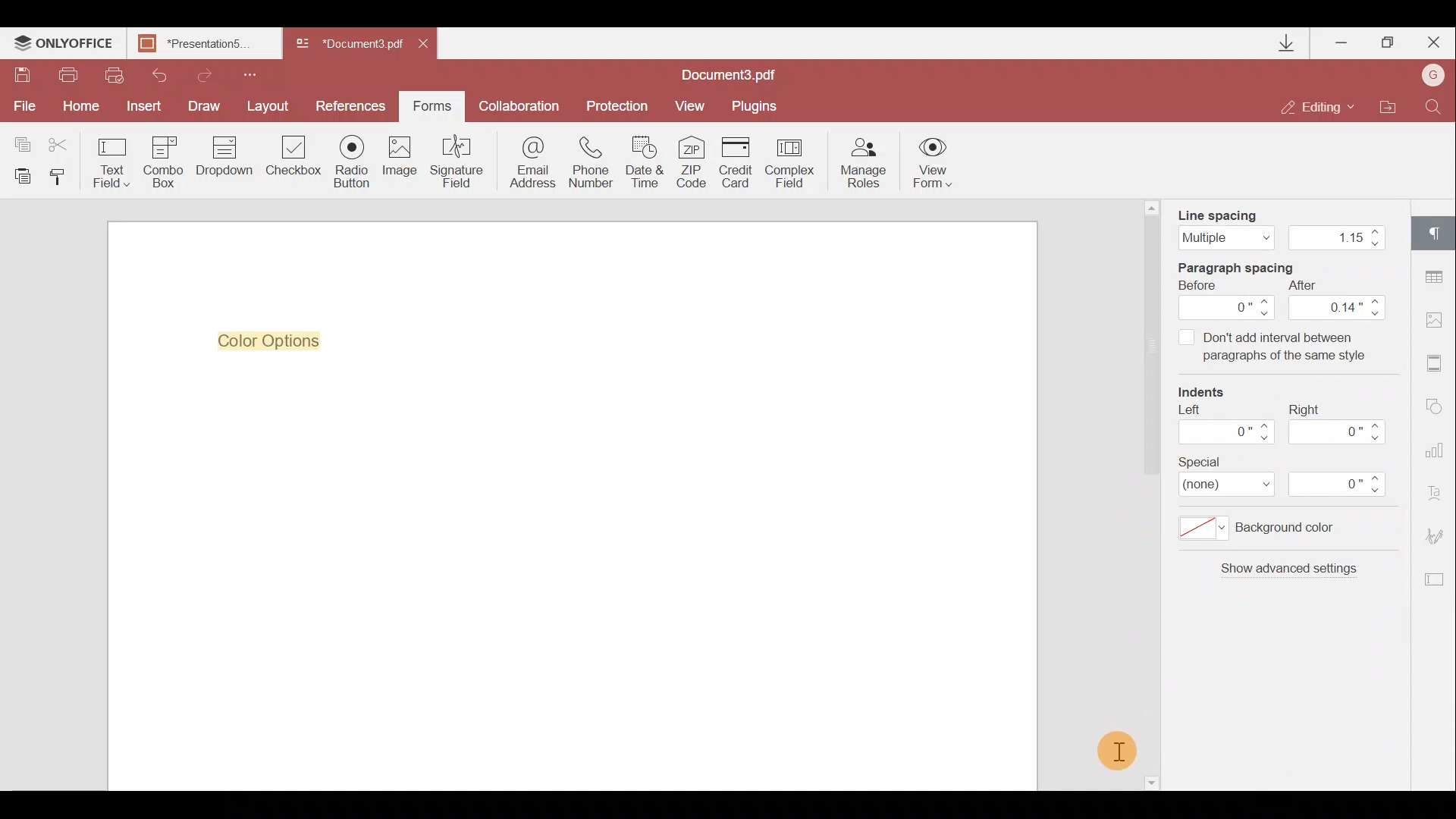 The image size is (1456, 819). I want to click on Customize quick access toolbar, so click(256, 74).